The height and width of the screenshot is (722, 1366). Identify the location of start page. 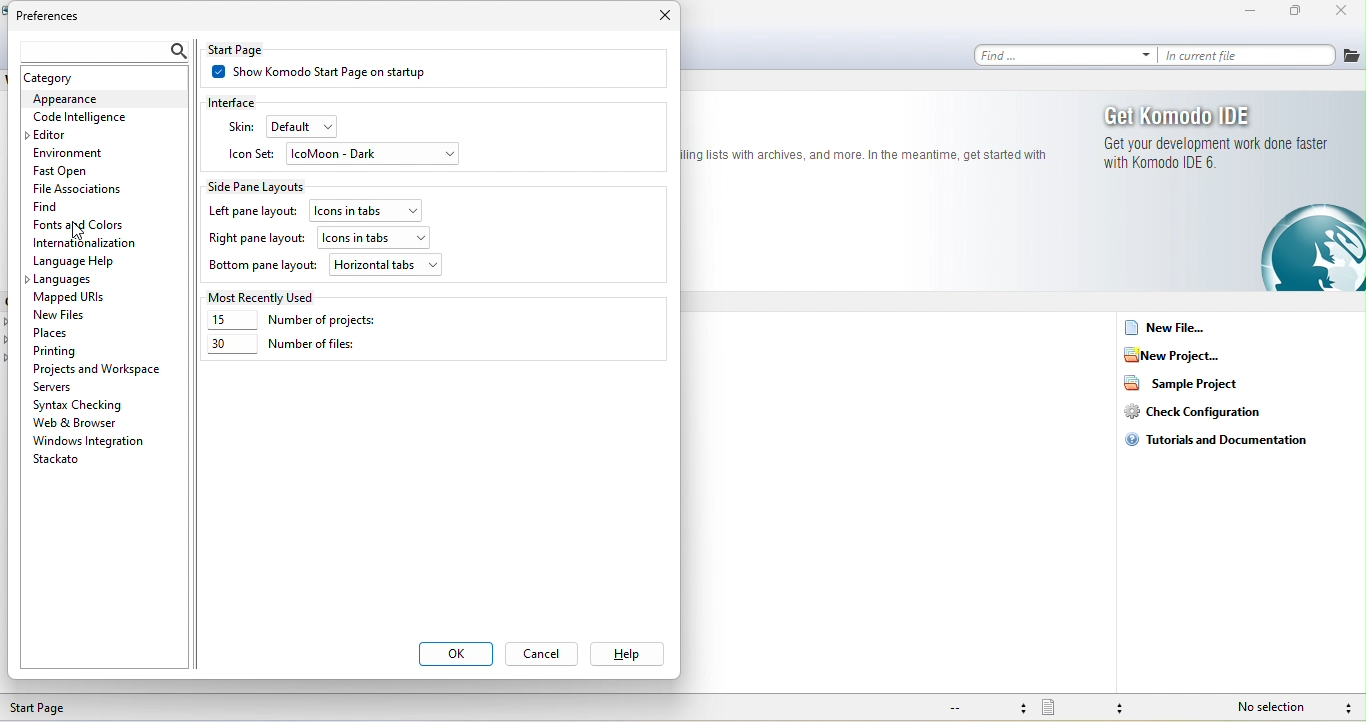
(245, 49).